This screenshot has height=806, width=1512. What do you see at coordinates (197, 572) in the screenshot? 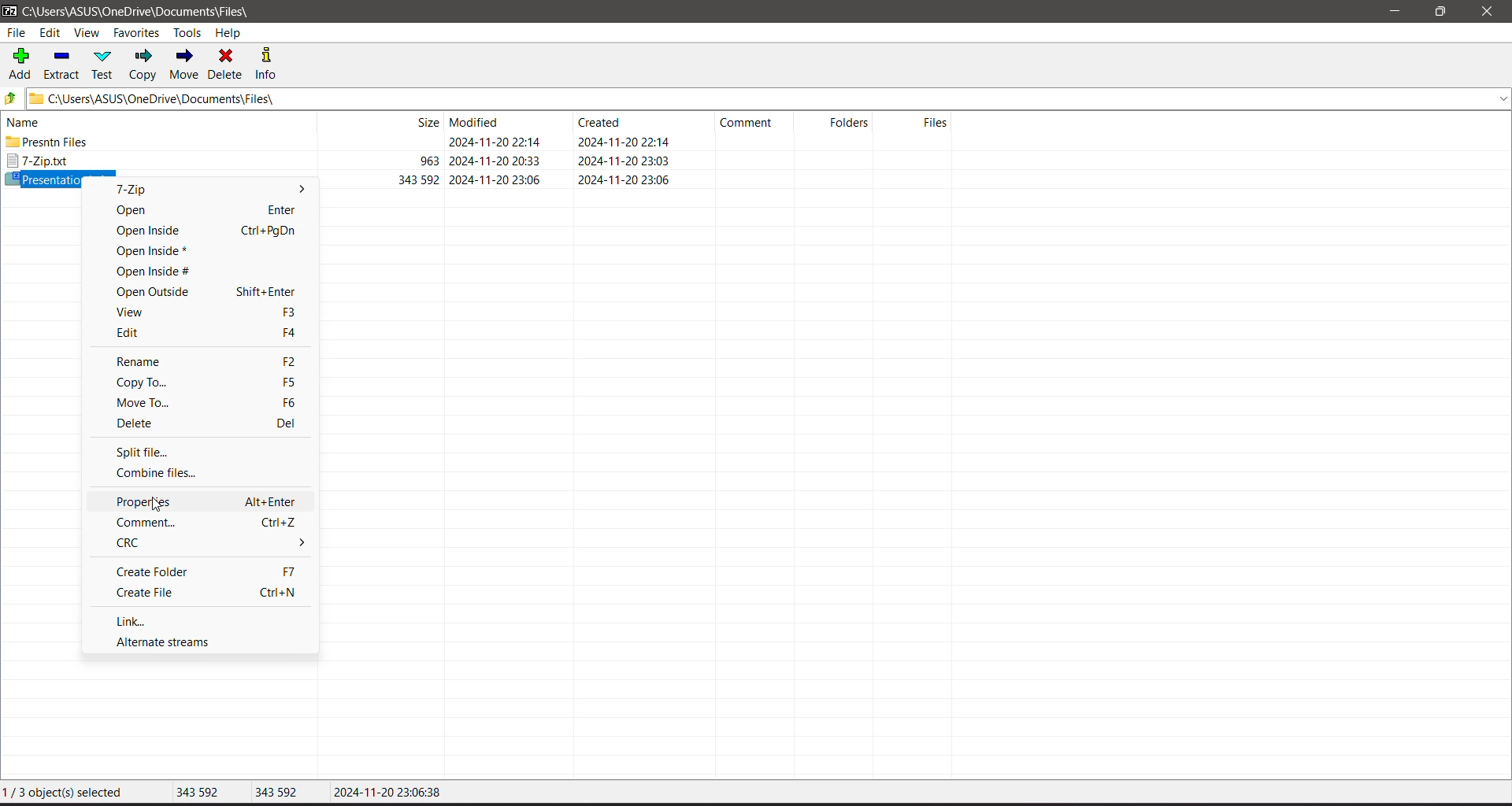
I see `Create Folder` at bounding box center [197, 572].